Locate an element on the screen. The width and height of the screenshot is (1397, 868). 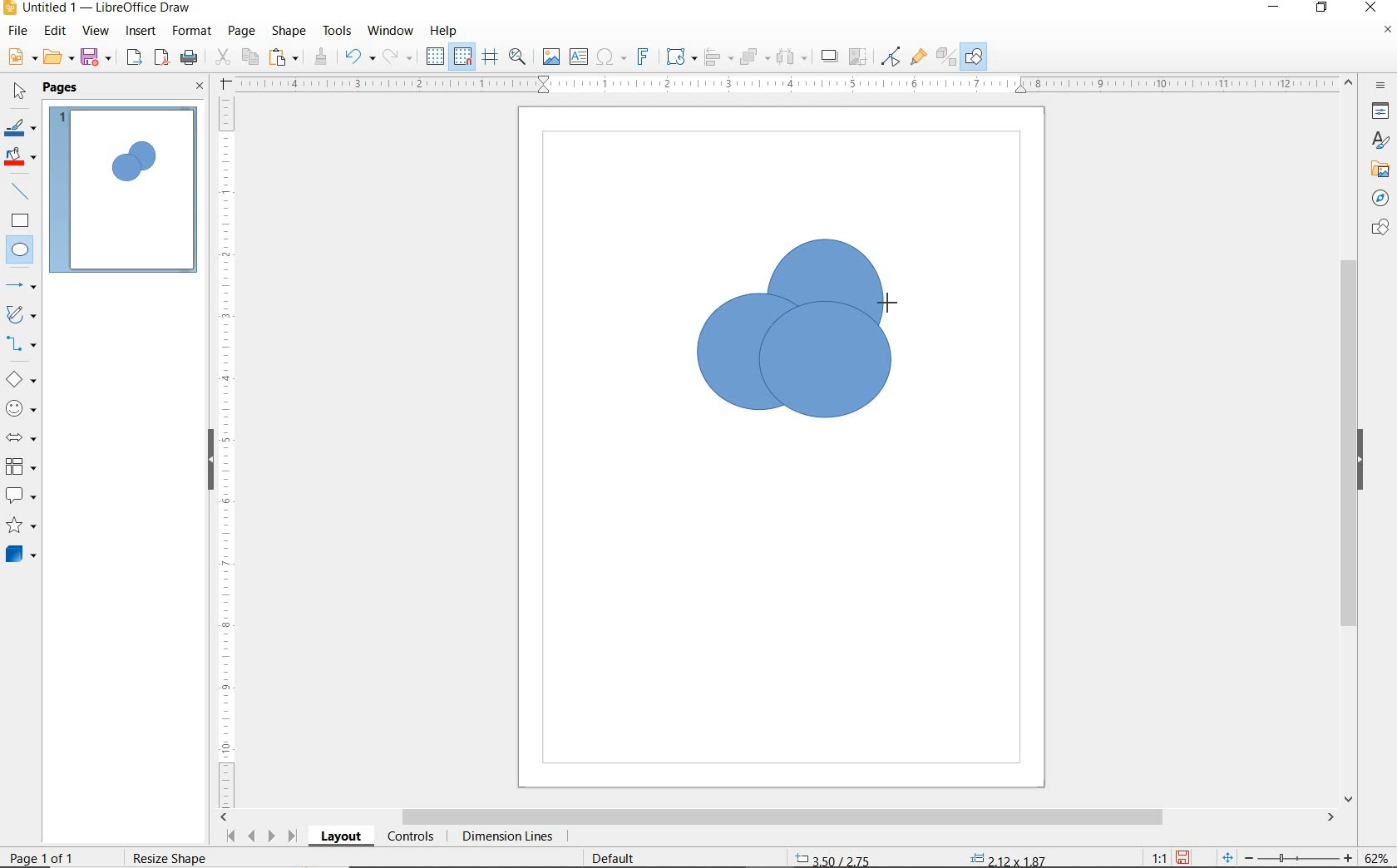
DIMENSION LINES is located at coordinates (505, 838).